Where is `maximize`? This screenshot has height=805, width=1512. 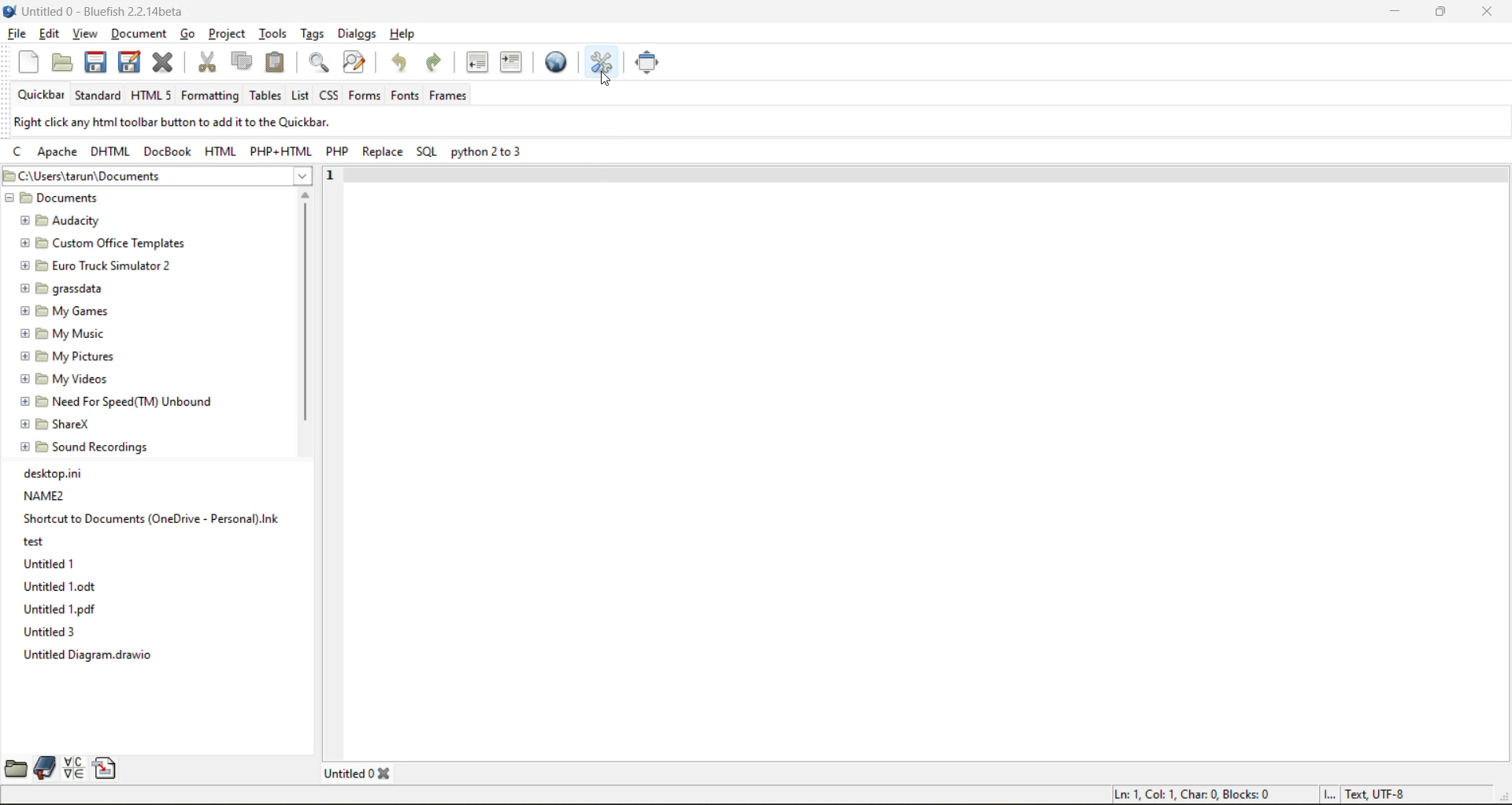 maximize is located at coordinates (1440, 14).